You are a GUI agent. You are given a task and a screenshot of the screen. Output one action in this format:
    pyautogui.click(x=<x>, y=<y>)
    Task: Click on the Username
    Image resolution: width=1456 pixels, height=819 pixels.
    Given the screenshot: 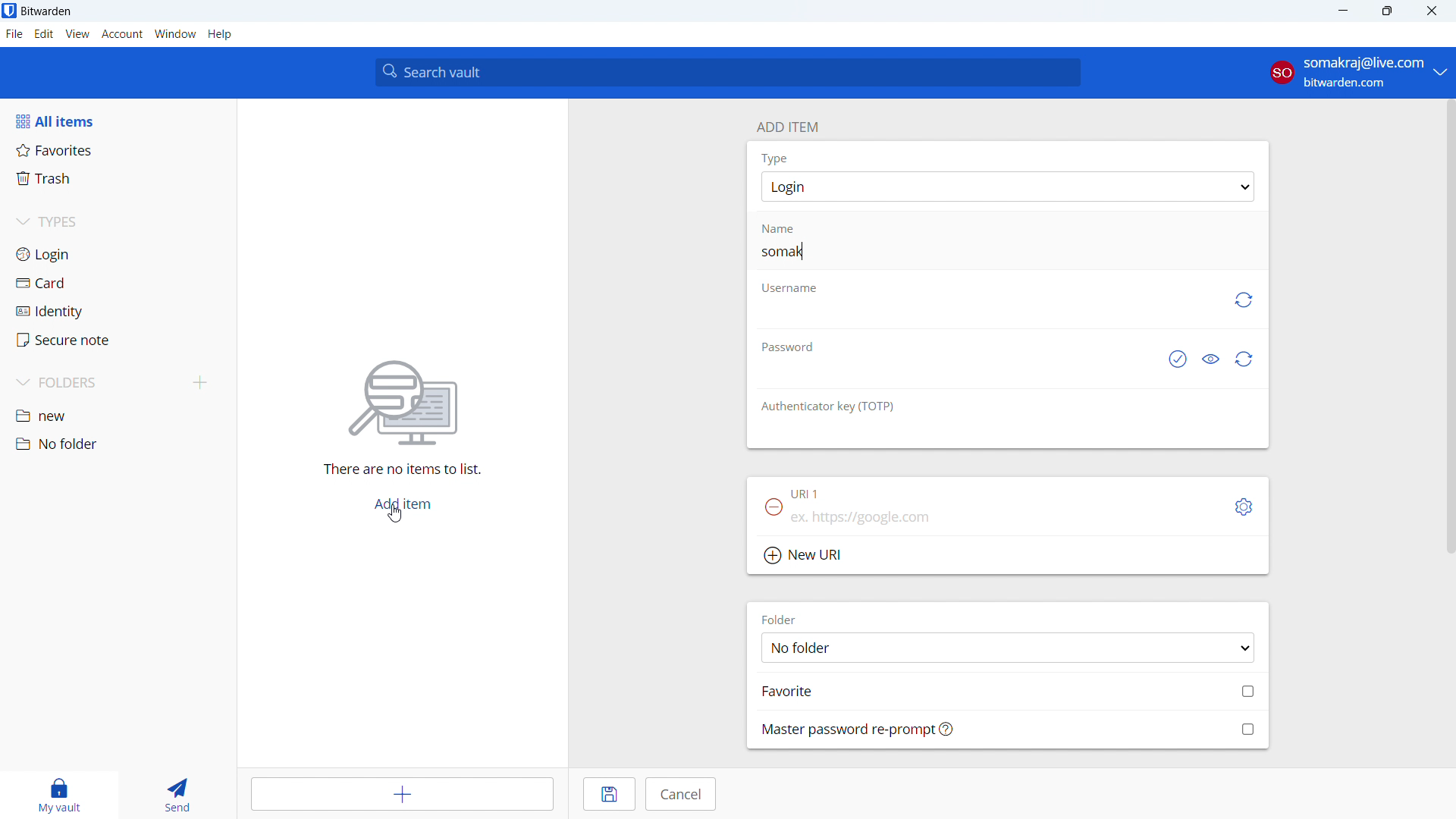 What is the action you would take?
    pyautogui.click(x=789, y=288)
    